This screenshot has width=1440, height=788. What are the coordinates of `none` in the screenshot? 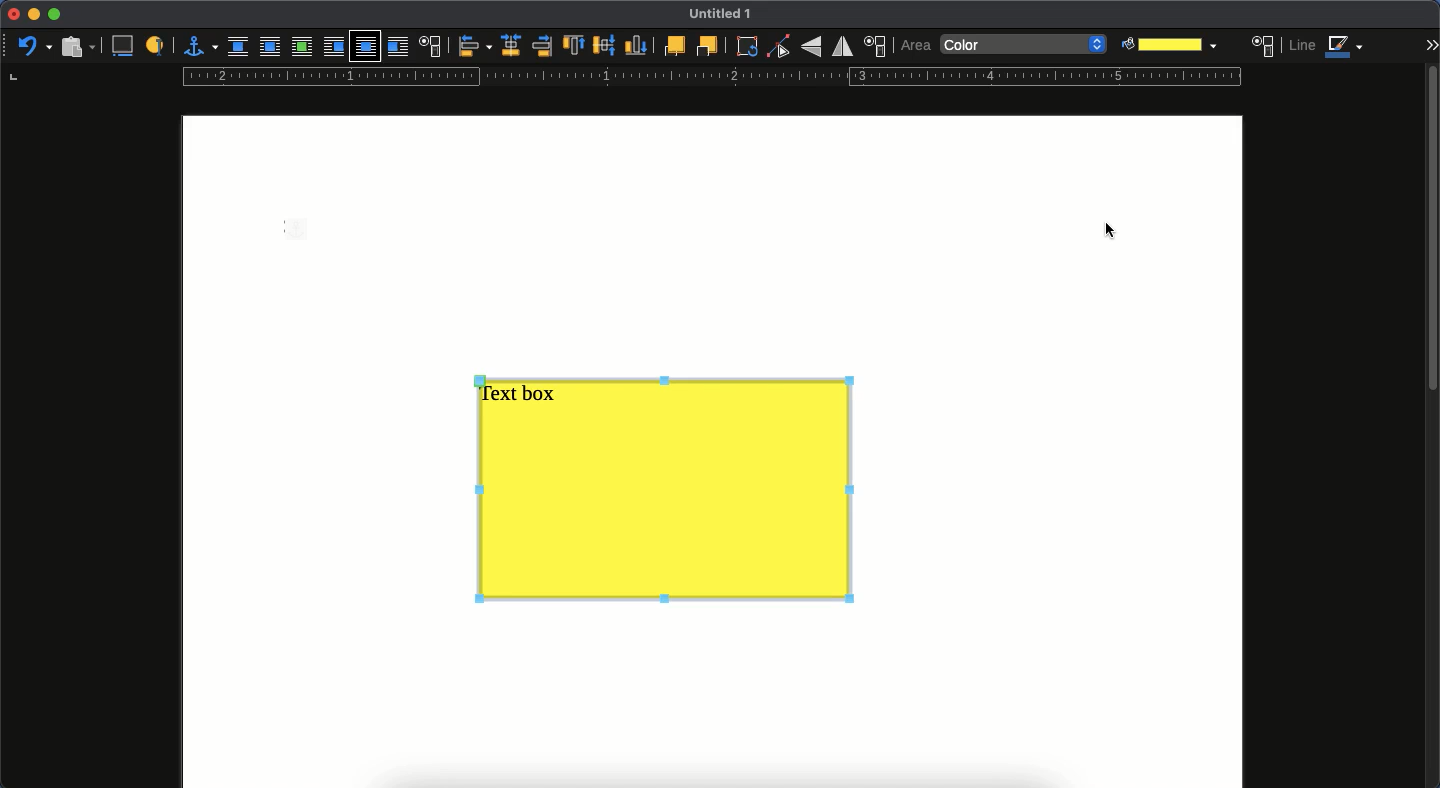 It's located at (1025, 46).